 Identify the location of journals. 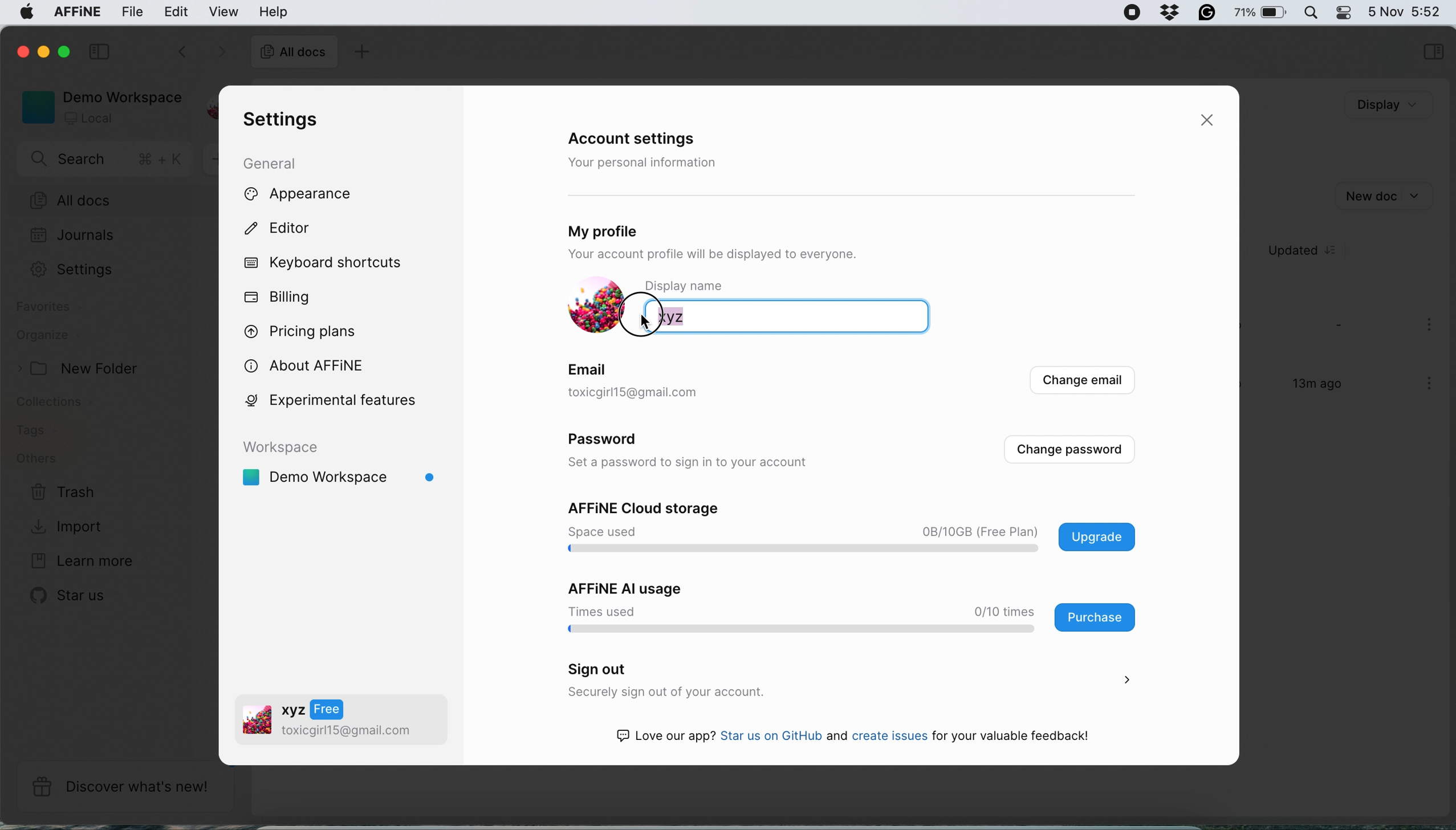
(72, 237).